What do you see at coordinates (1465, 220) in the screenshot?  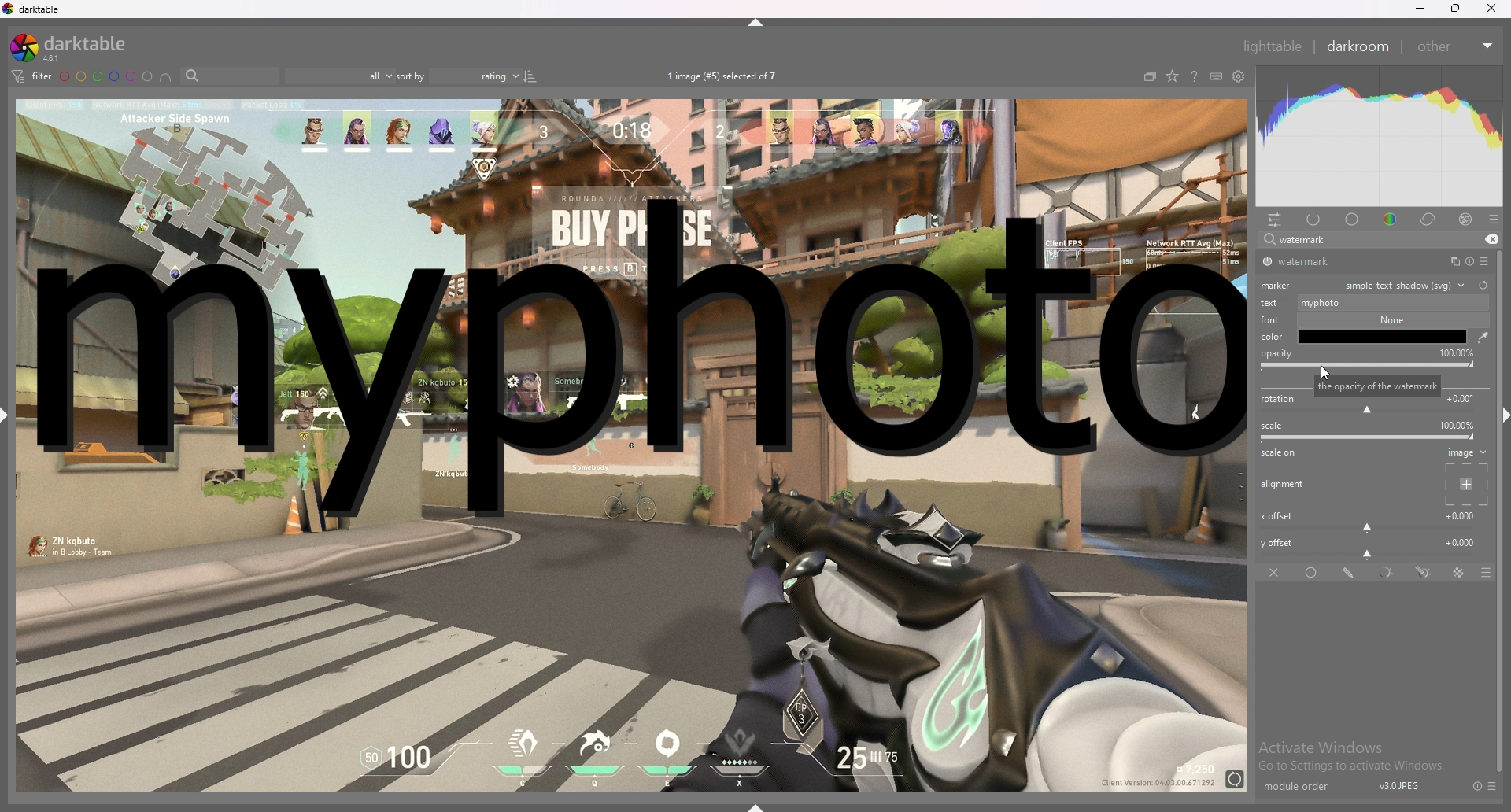 I see `effect` at bounding box center [1465, 220].